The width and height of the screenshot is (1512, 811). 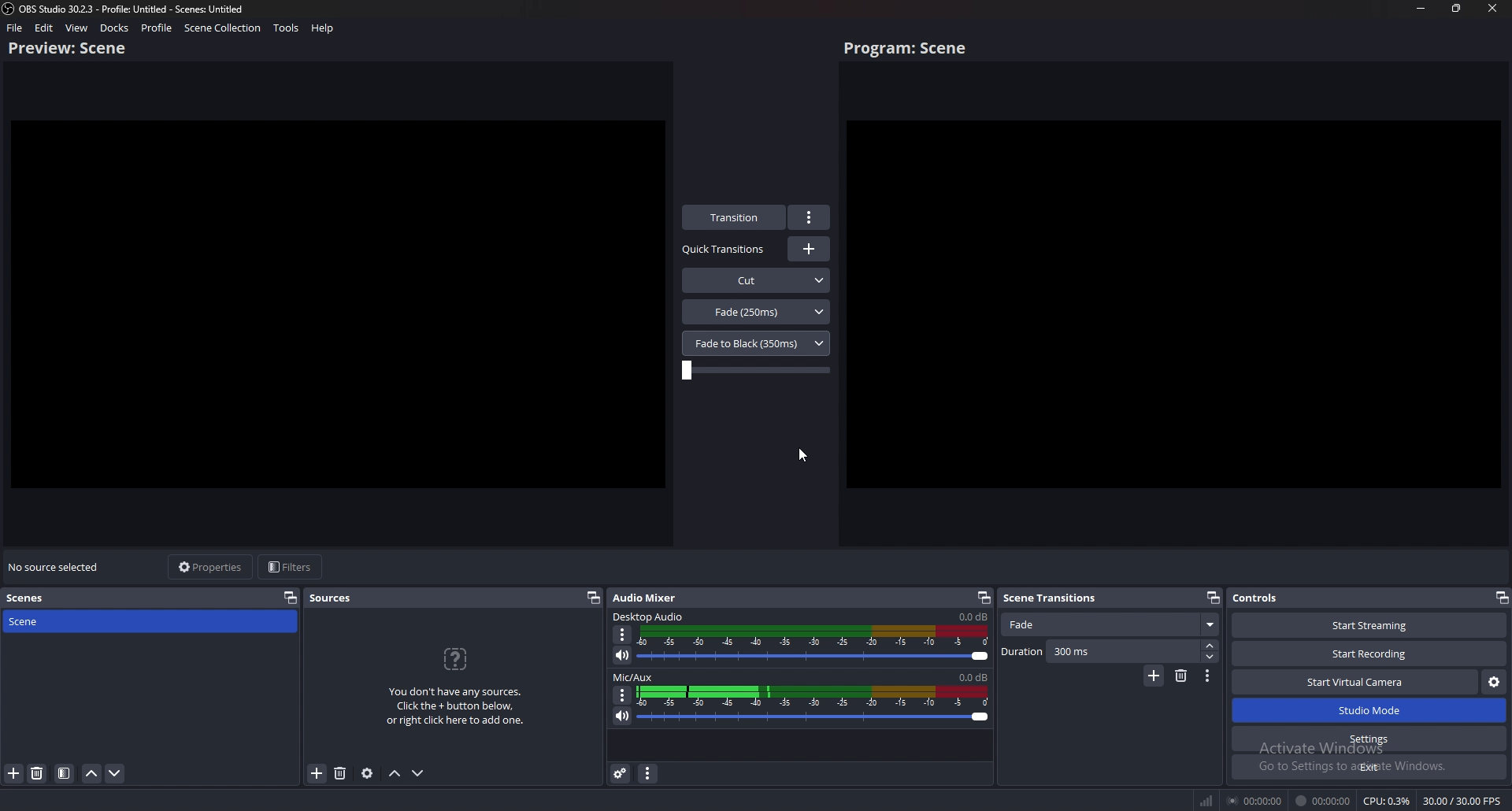 I want to click on Delete scene transitions, so click(x=1181, y=676).